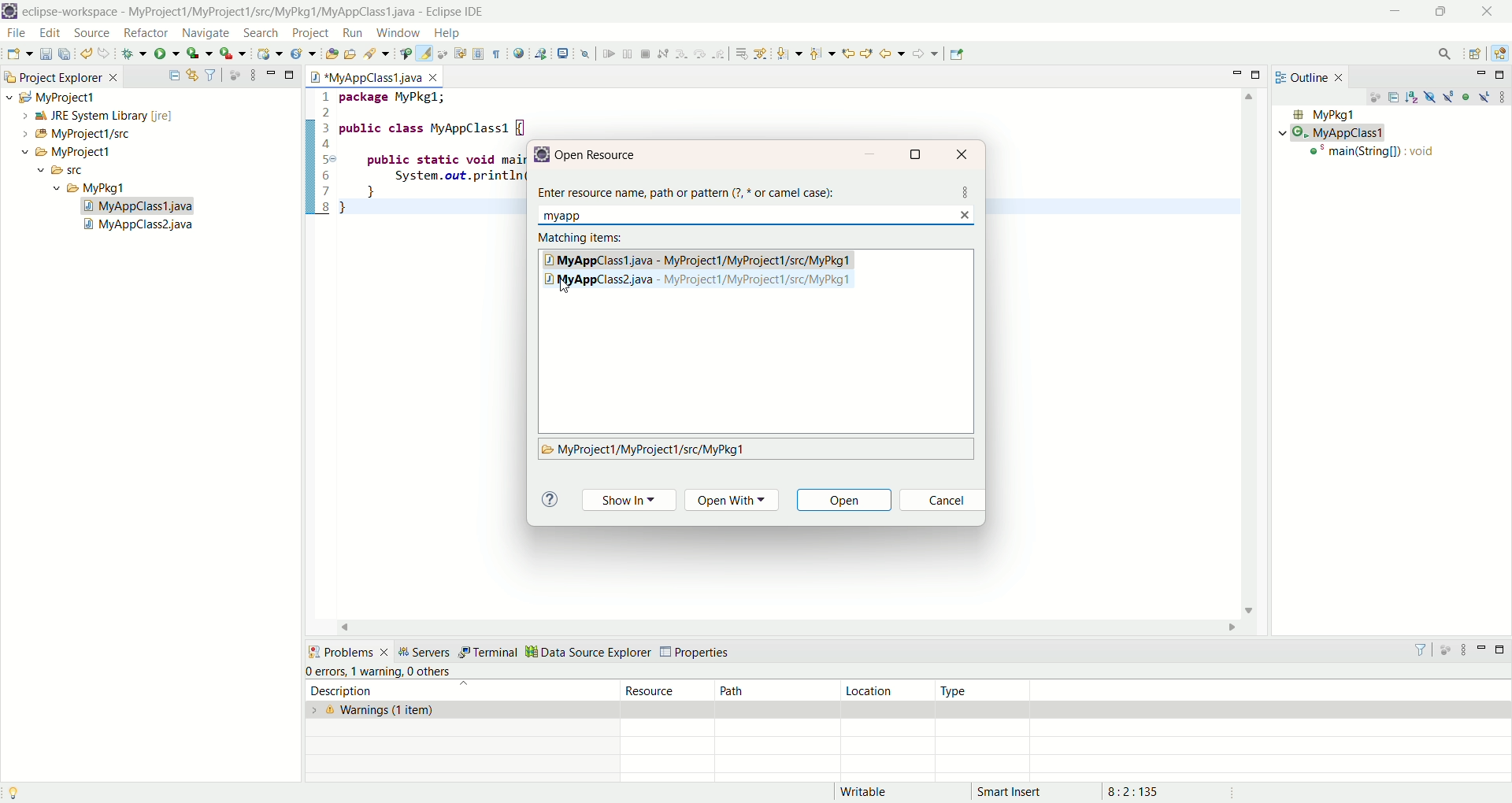 This screenshot has width=1512, height=803. Describe the element at coordinates (141, 227) in the screenshot. I see `MyAppClass2.java` at that location.